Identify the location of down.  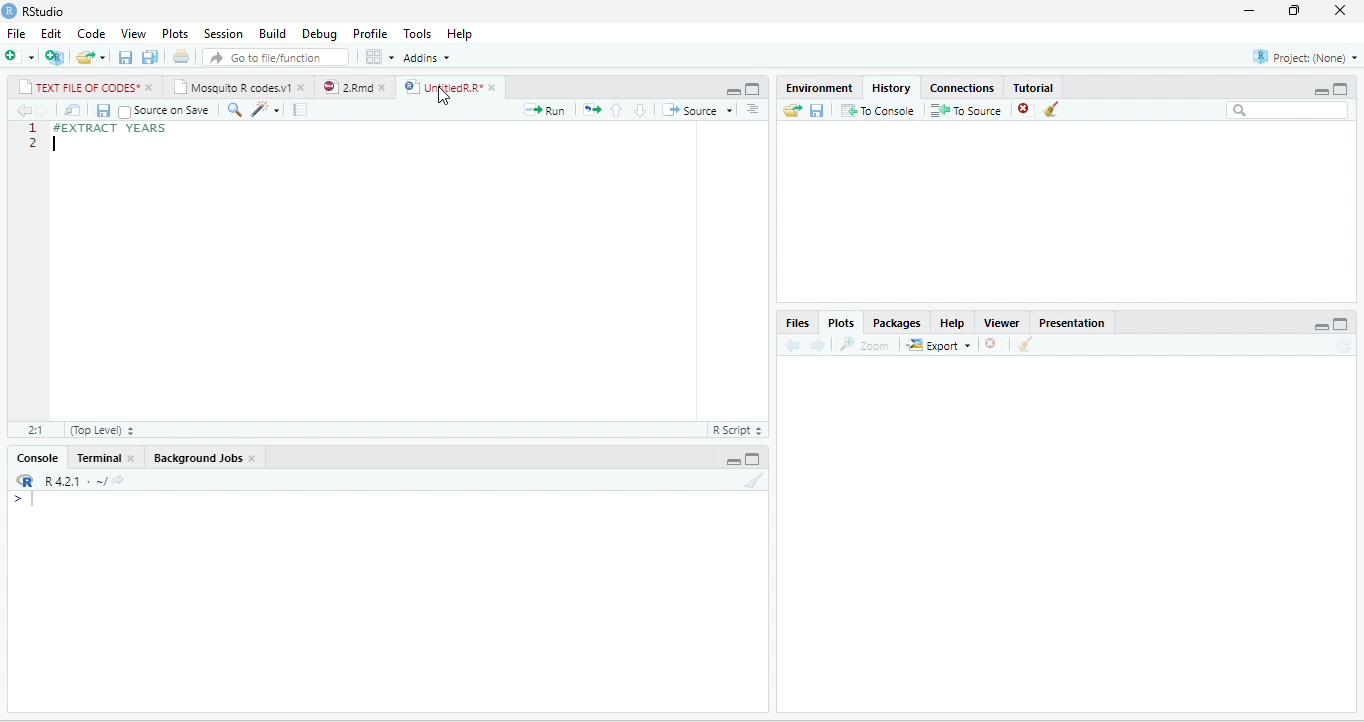
(640, 110).